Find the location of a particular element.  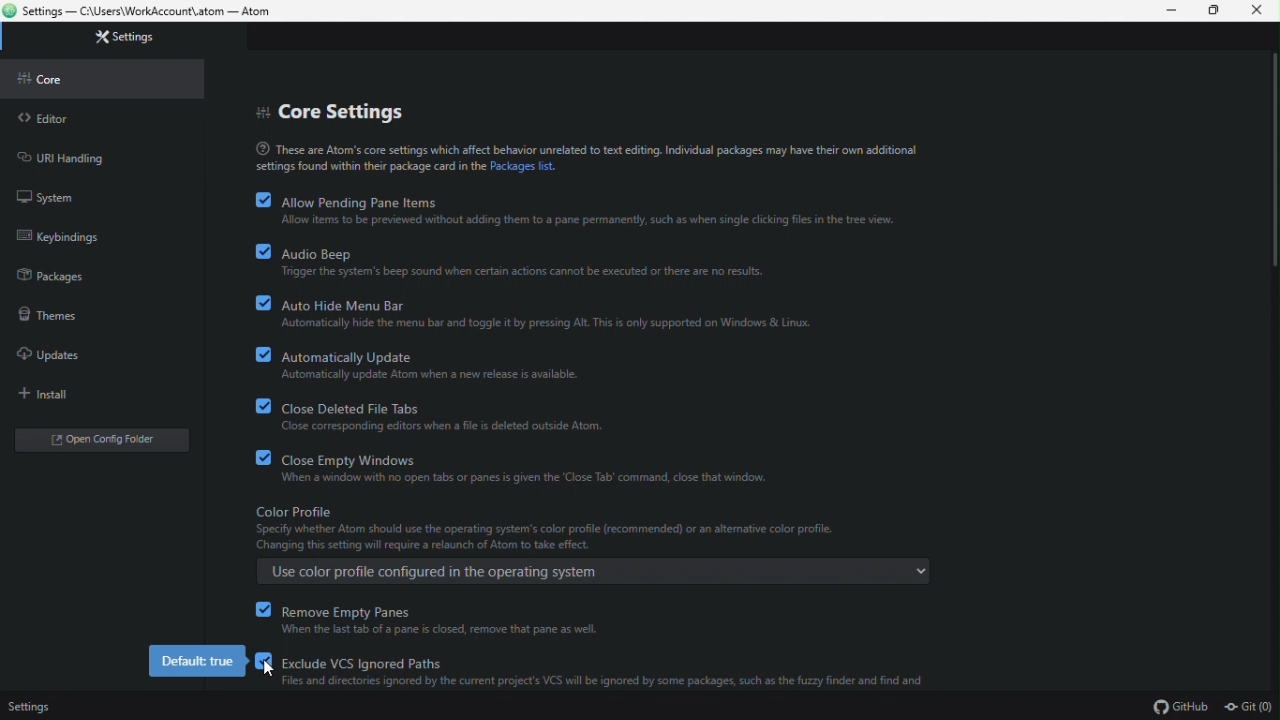

Settings is located at coordinates (28, 708).